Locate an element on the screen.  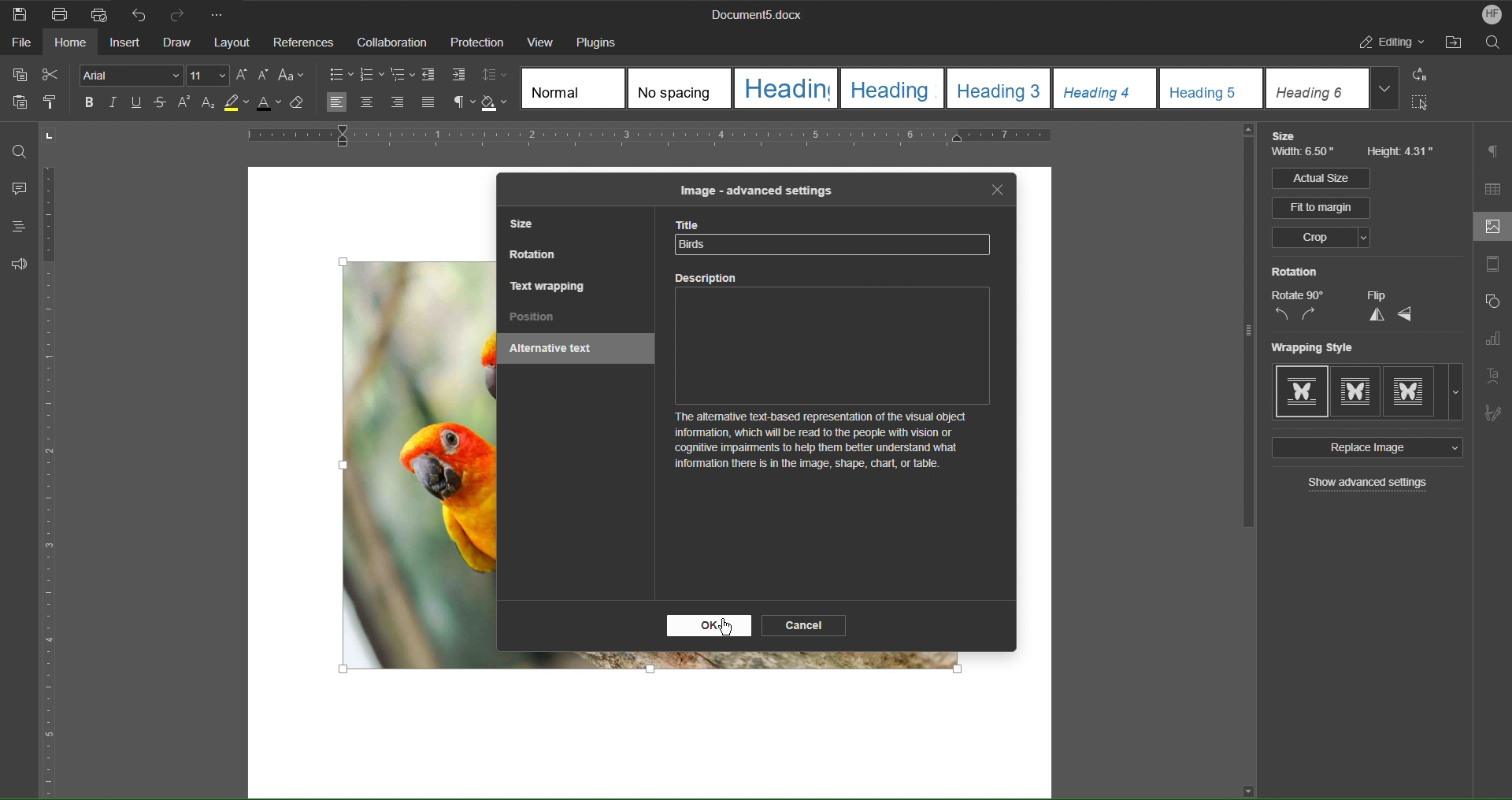
Copy Style is located at coordinates (56, 103).